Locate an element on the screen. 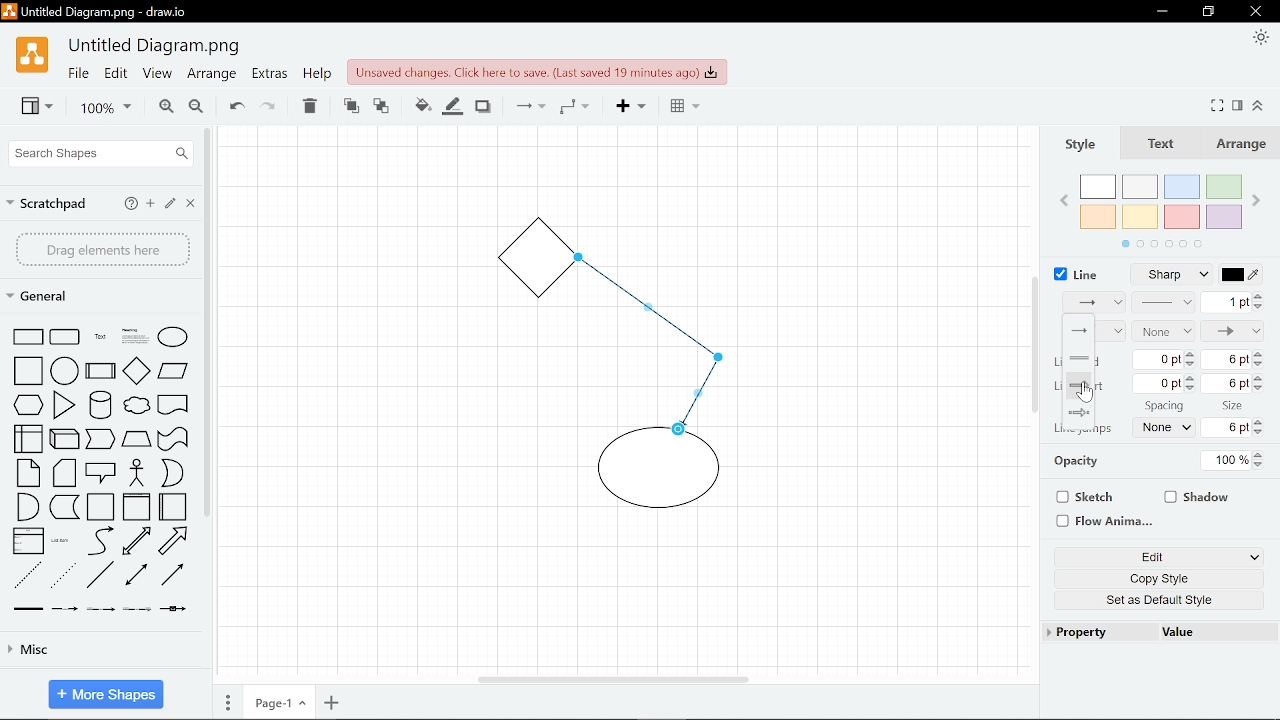 This screenshot has width=1280, height=720. Style is located at coordinates (1085, 145).